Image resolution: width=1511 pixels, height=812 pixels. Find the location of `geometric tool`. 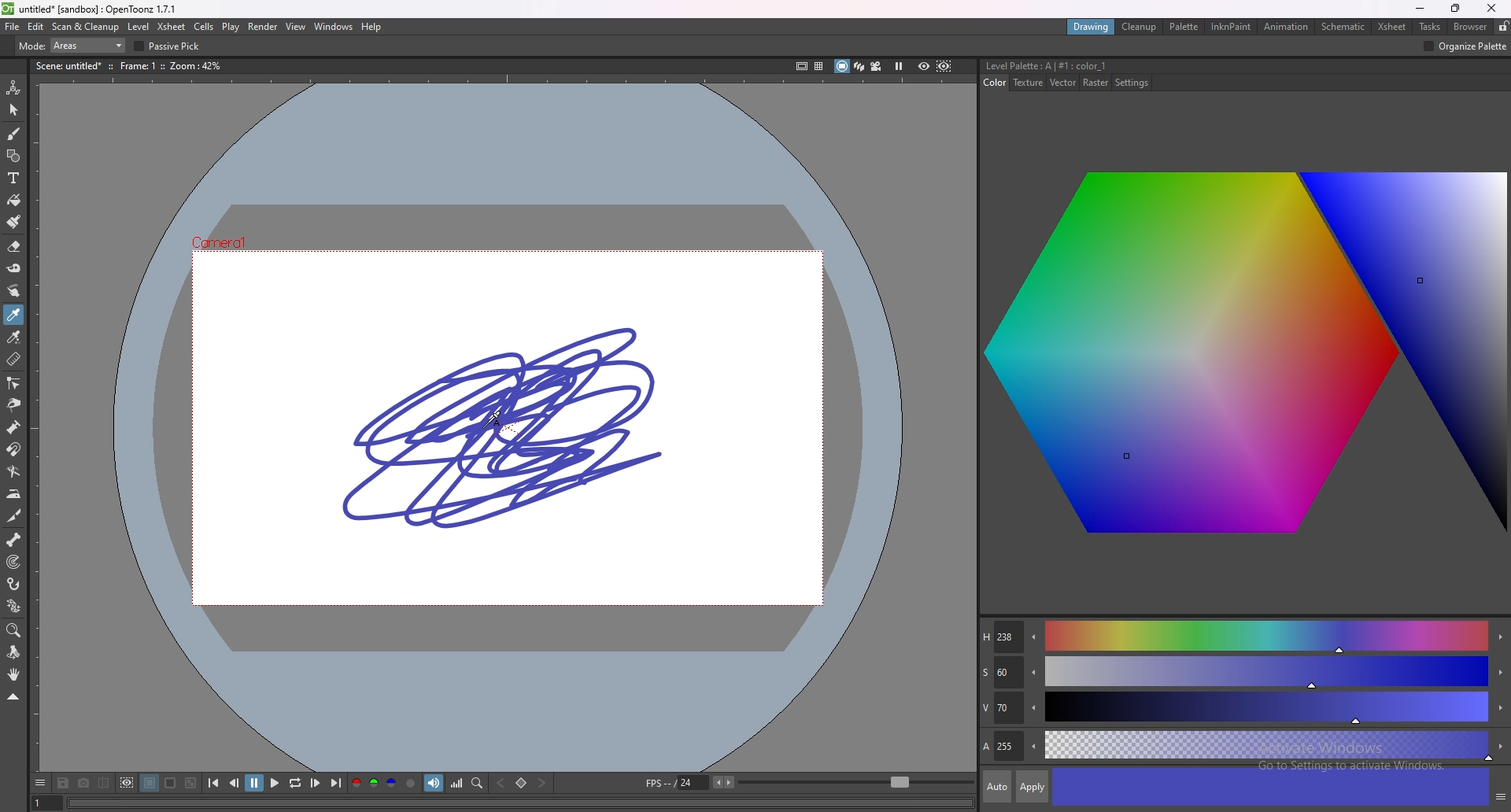

geometric tool is located at coordinates (13, 155).